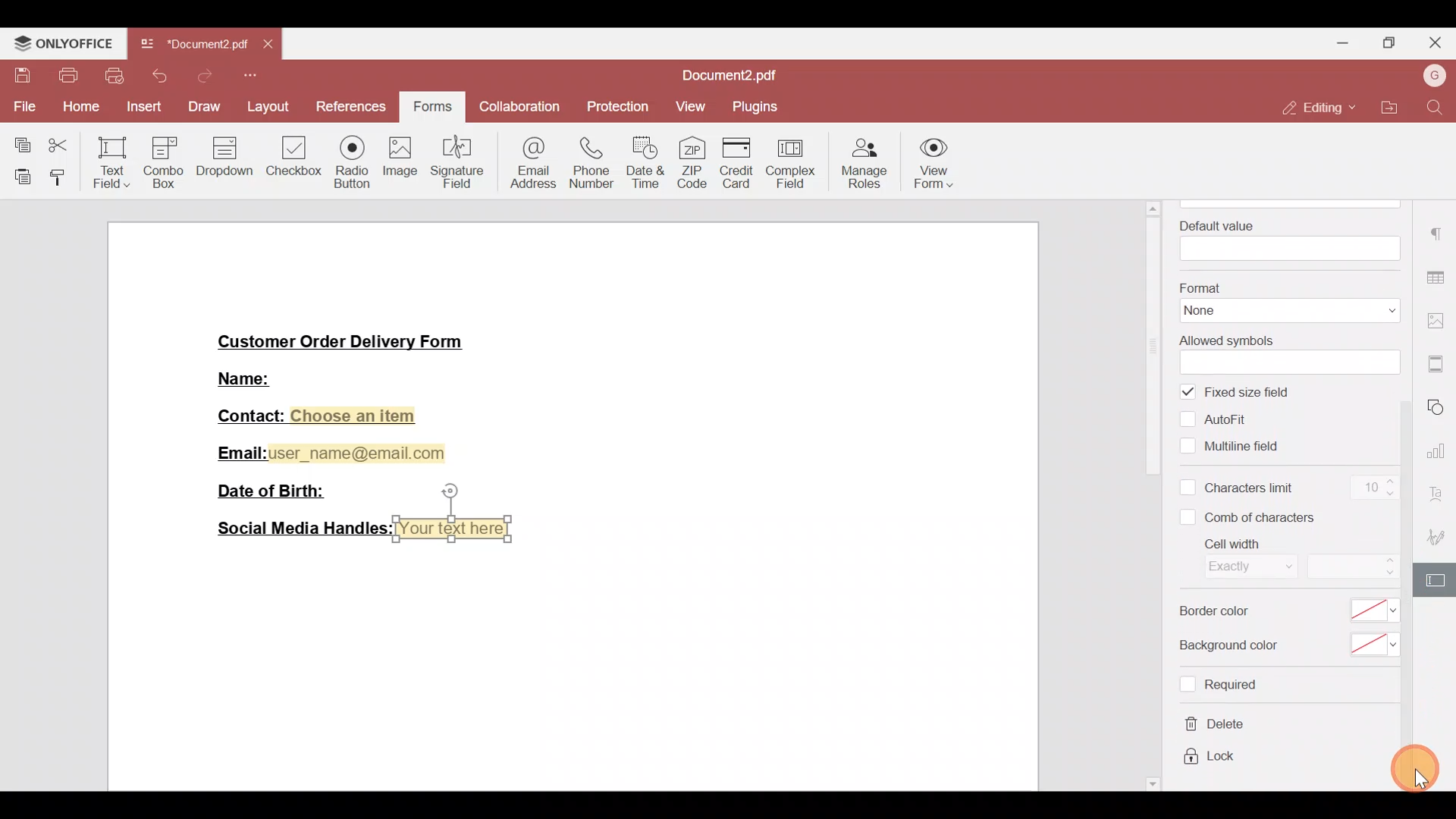 The height and width of the screenshot is (819, 1456). What do you see at coordinates (1239, 489) in the screenshot?
I see `Characters limit` at bounding box center [1239, 489].